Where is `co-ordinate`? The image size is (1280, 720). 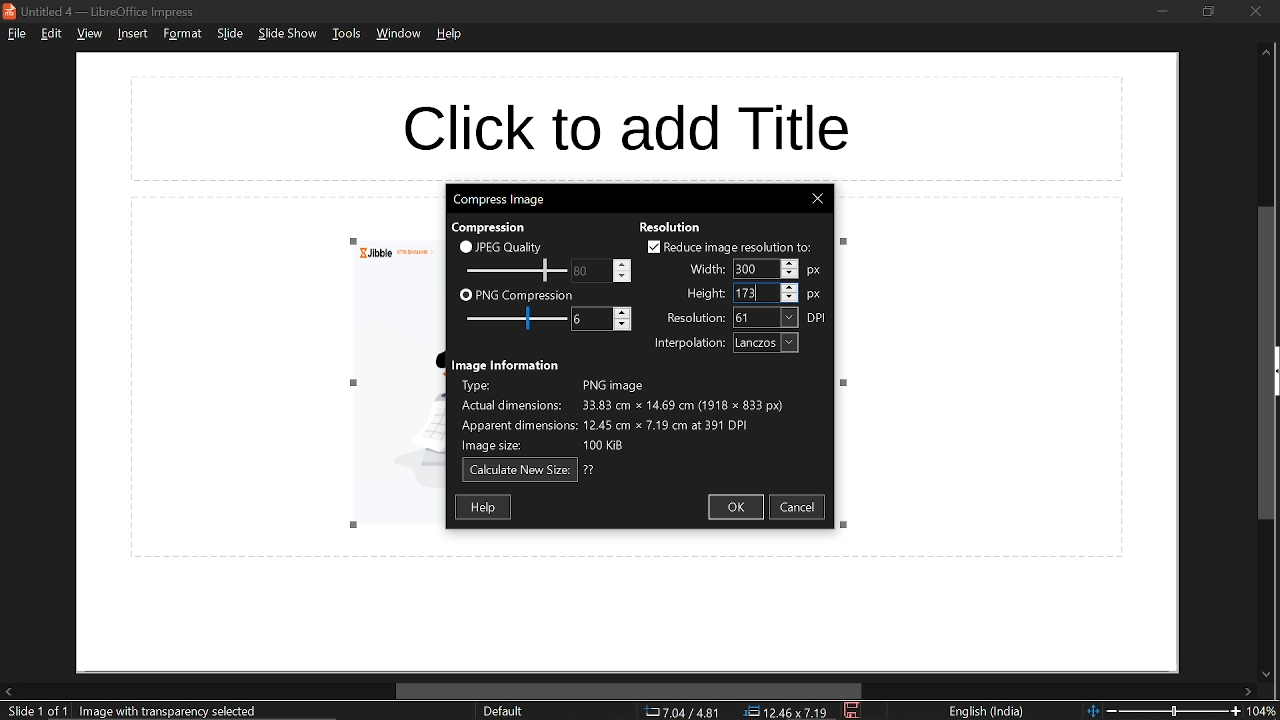 co-ordinate is located at coordinates (682, 712).